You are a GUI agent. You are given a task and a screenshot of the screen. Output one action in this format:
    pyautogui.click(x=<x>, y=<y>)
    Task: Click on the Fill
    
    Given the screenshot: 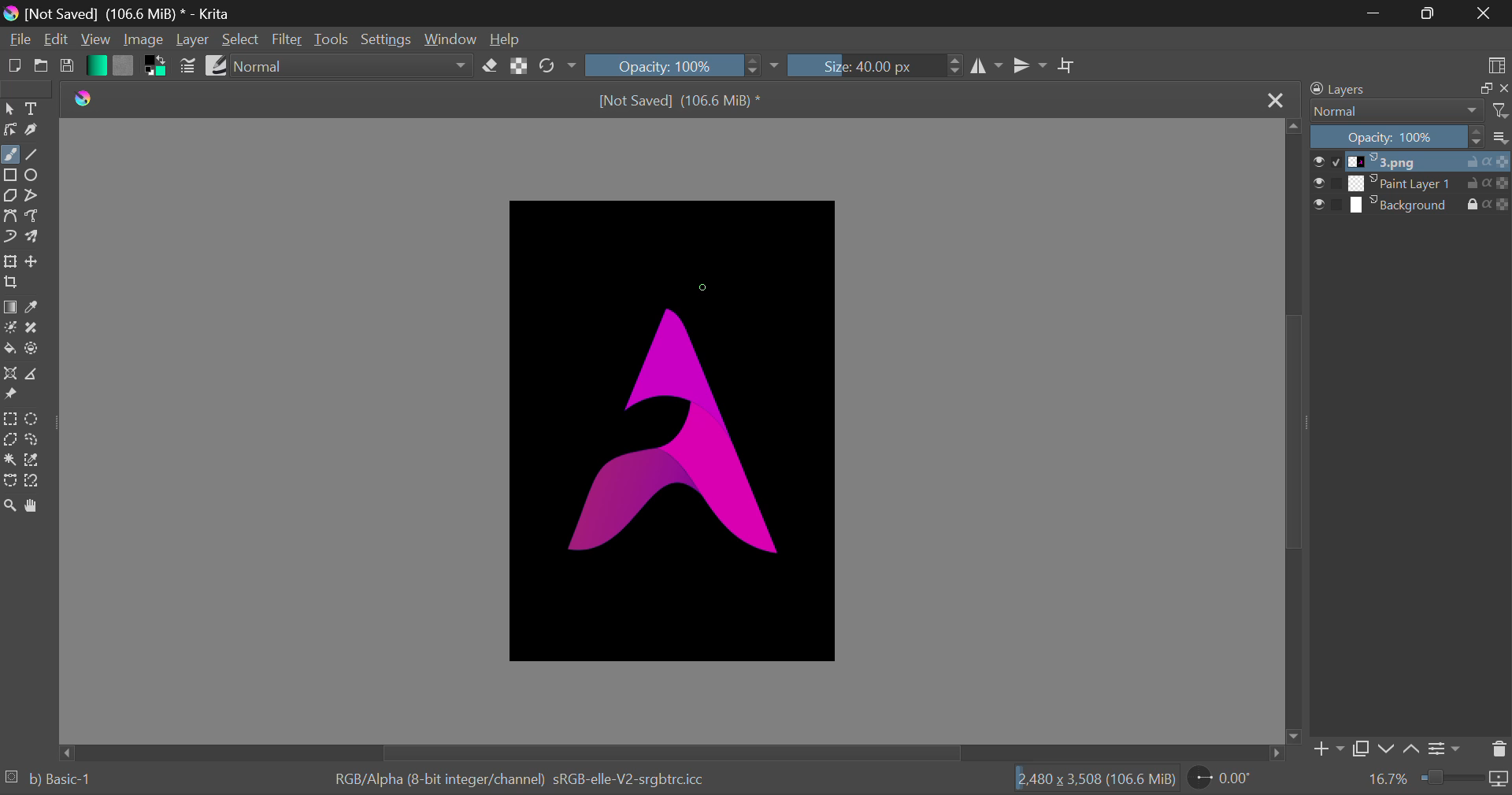 What is the action you would take?
    pyautogui.click(x=9, y=349)
    